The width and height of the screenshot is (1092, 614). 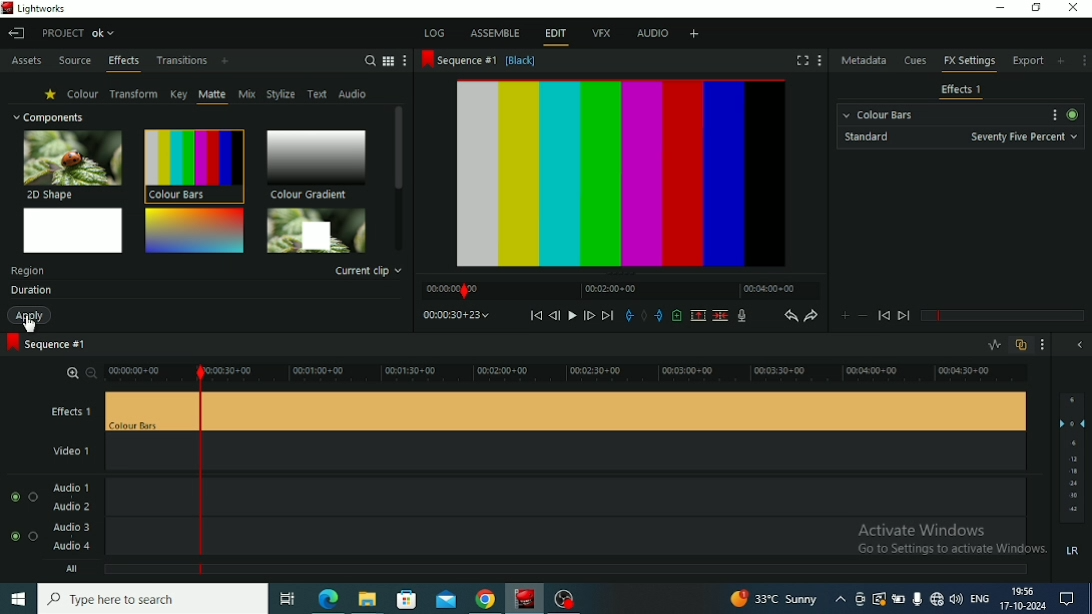 I want to click on Show setting menu, so click(x=1084, y=60).